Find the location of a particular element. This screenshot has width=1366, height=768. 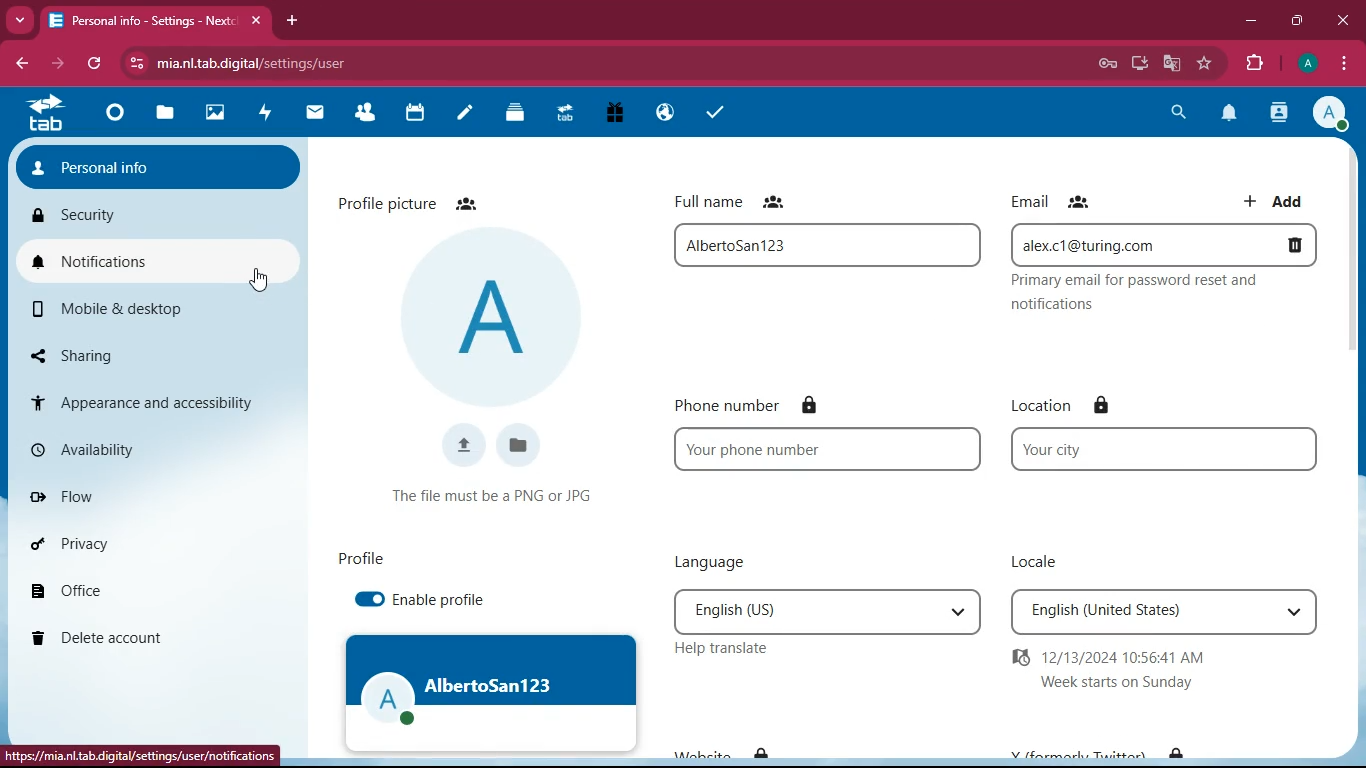

language is located at coordinates (719, 562).